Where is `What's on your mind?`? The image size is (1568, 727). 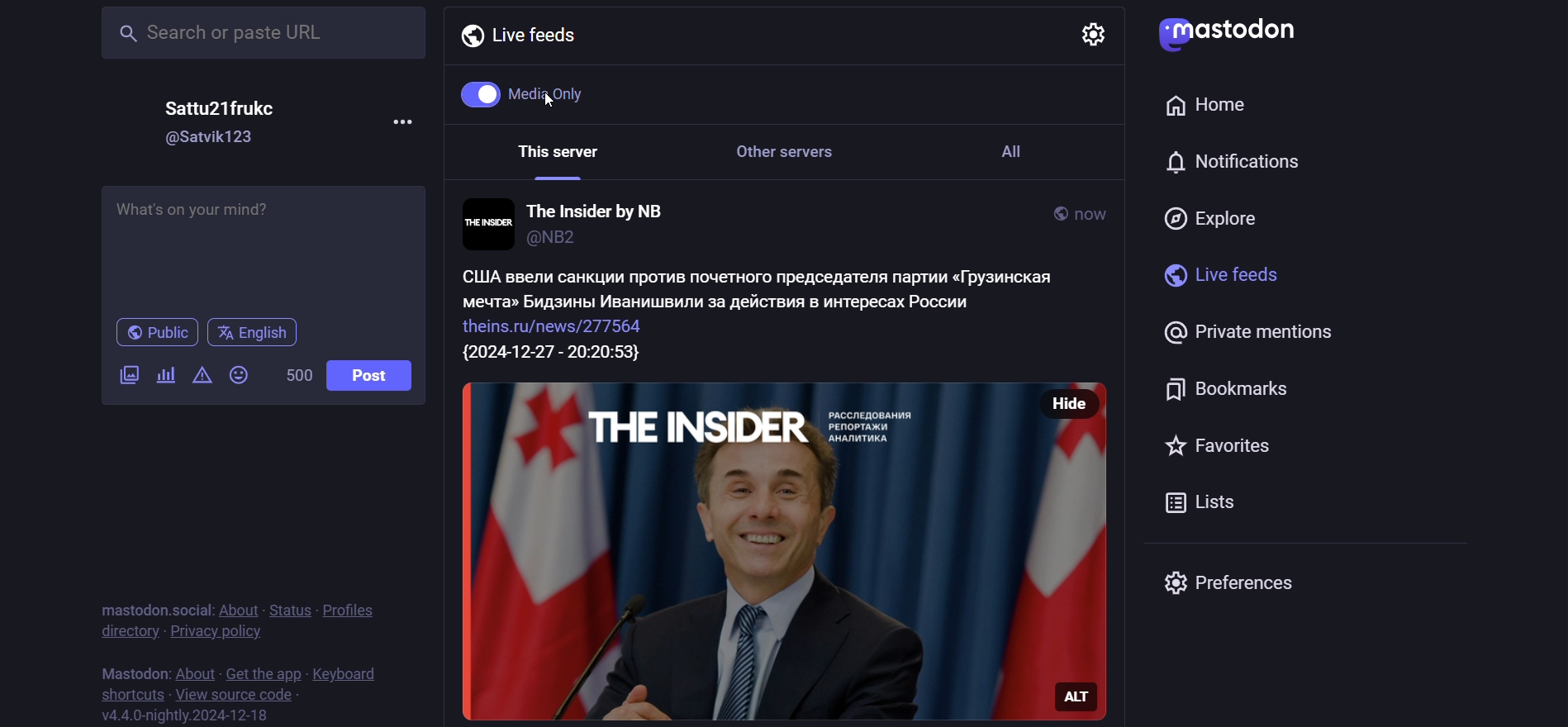 What's on your mind? is located at coordinates (264, 244).